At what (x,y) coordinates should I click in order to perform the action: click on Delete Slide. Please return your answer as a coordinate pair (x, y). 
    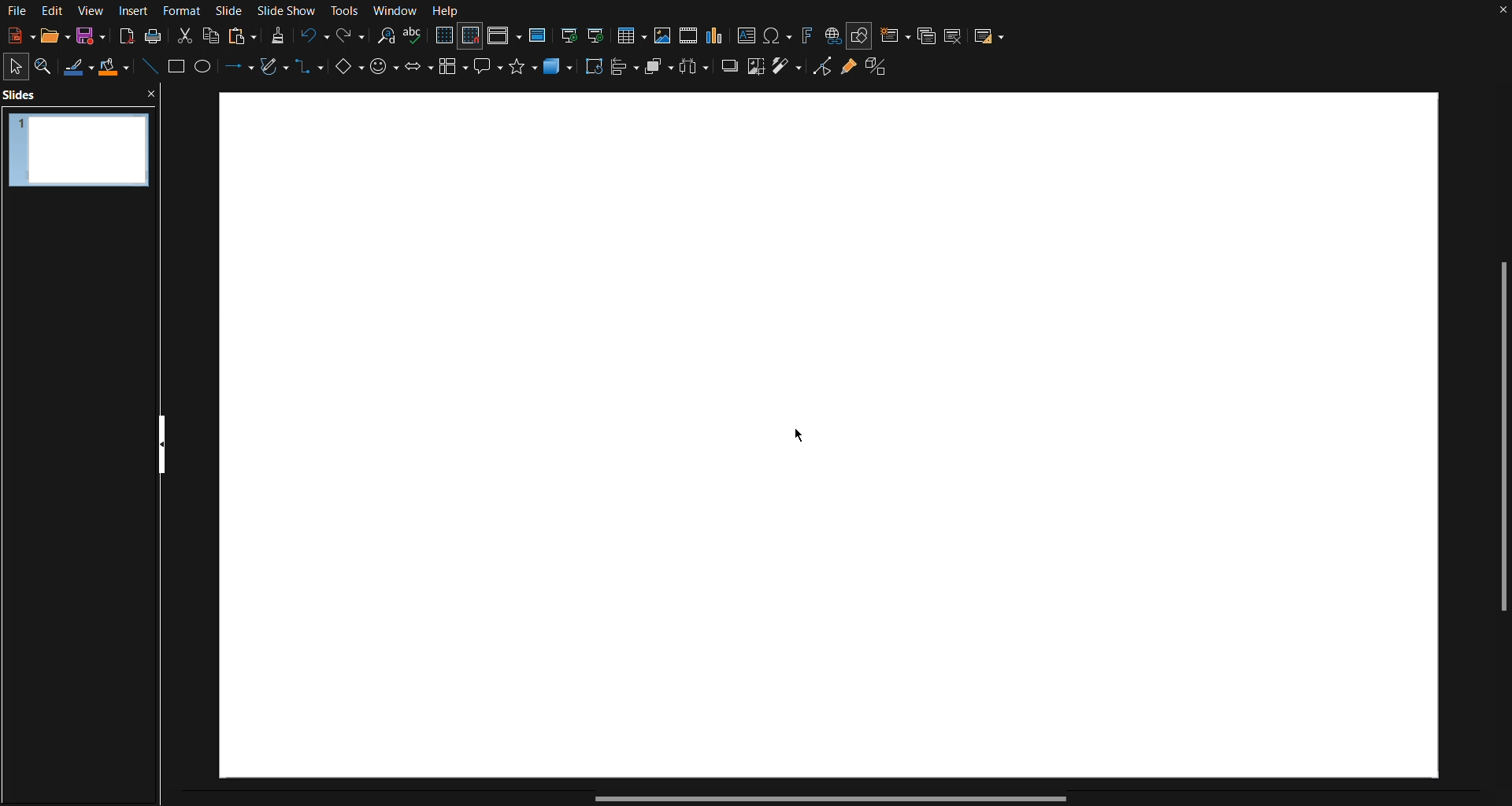
    Looking at the image, I should click on (955, 34).